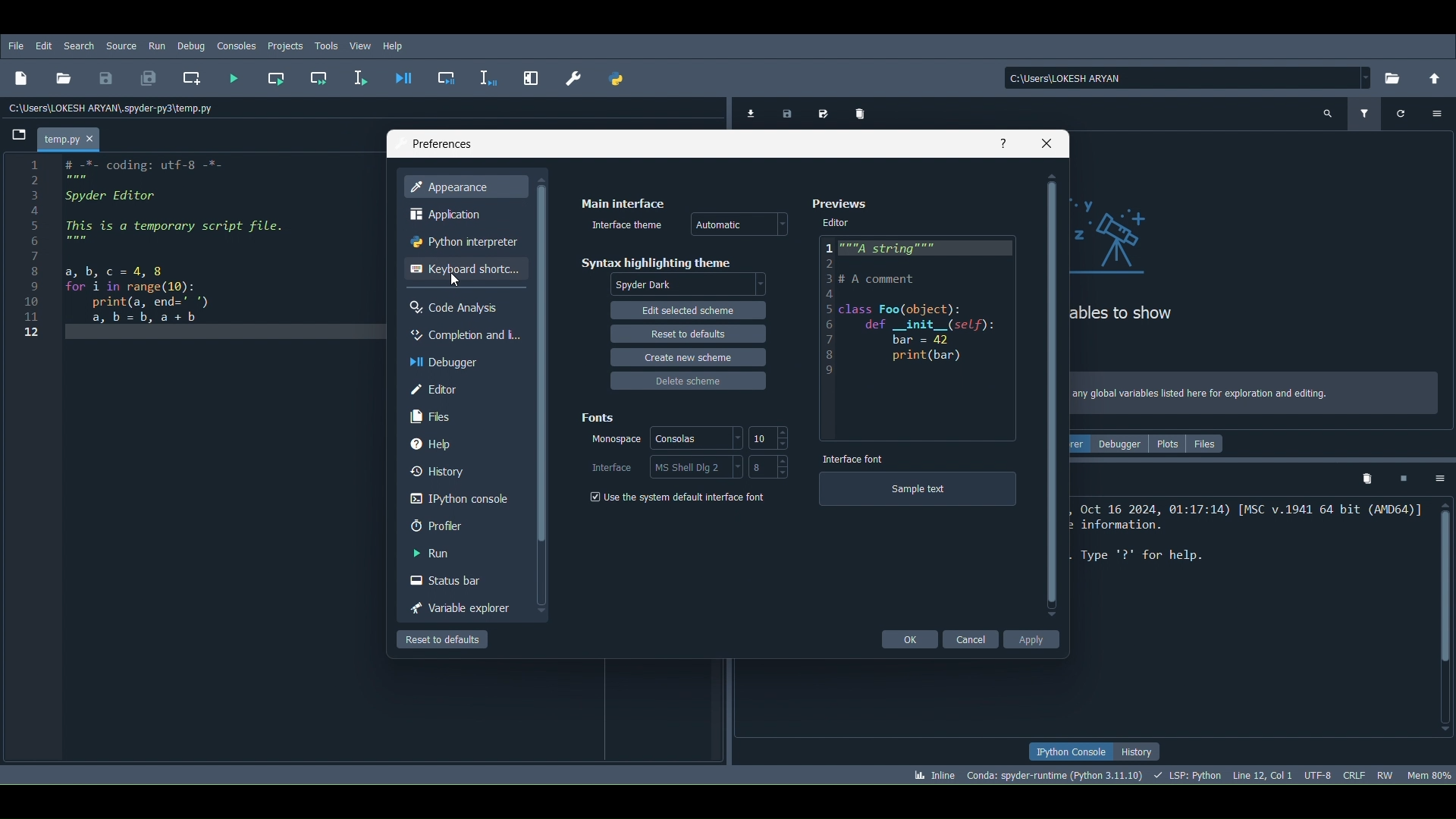  What do you see at coordinates (124, 45) in the screenshot?
I see `Source` at bounding box center [124, 45].